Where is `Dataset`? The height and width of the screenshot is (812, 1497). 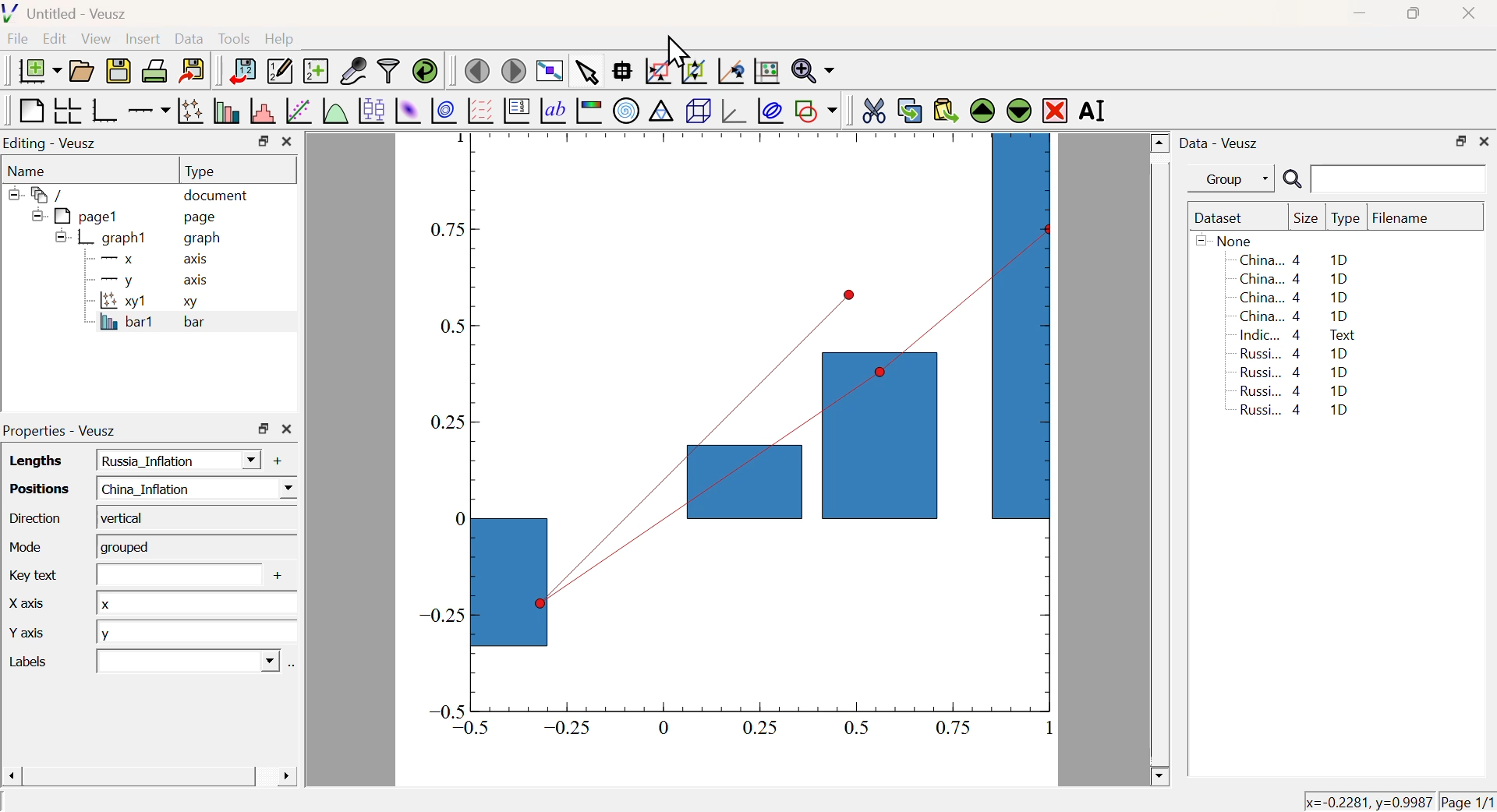
Dataset is located at coordinates (1222, 219).